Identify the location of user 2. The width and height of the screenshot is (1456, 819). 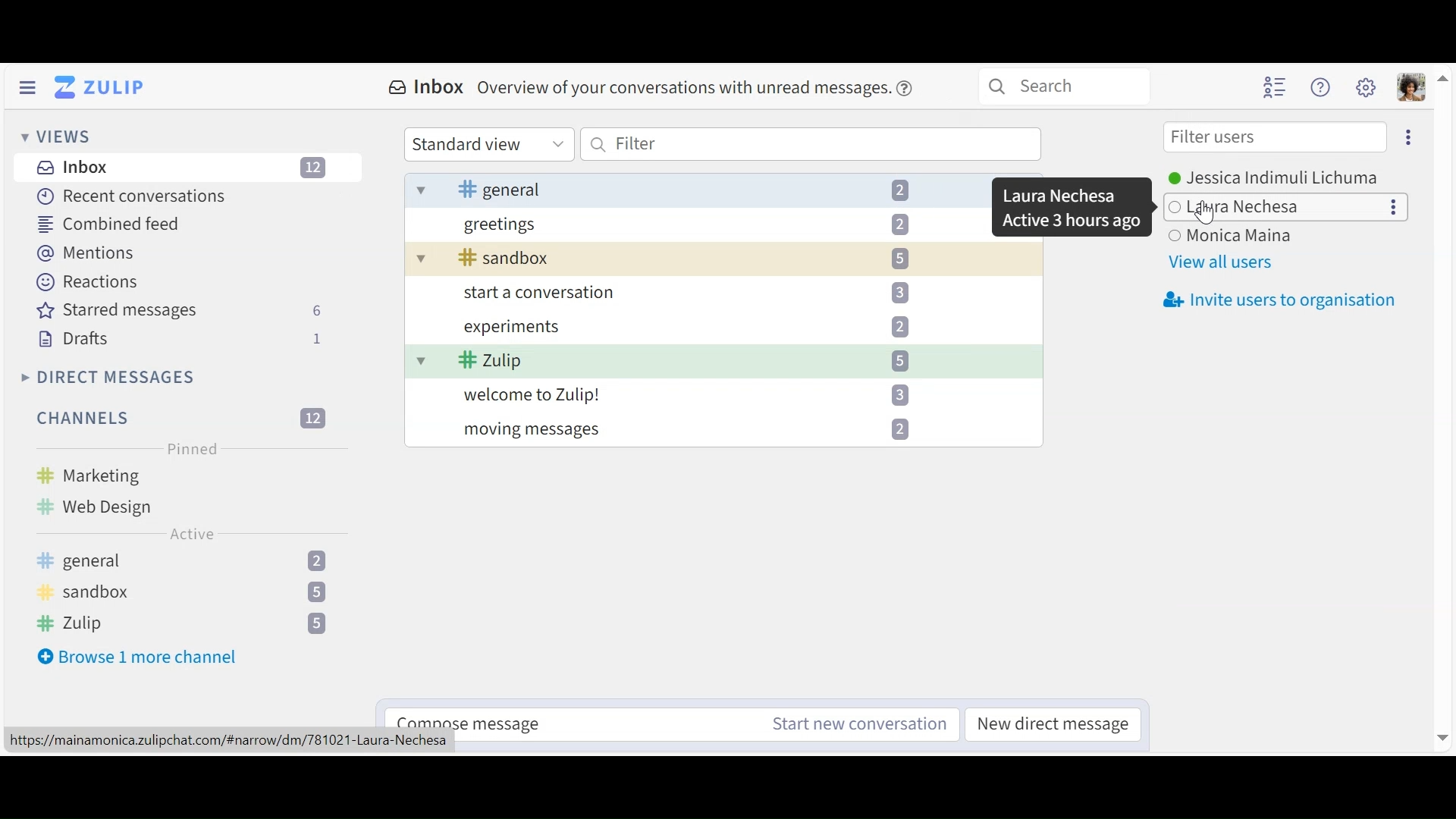
(1240, 206).